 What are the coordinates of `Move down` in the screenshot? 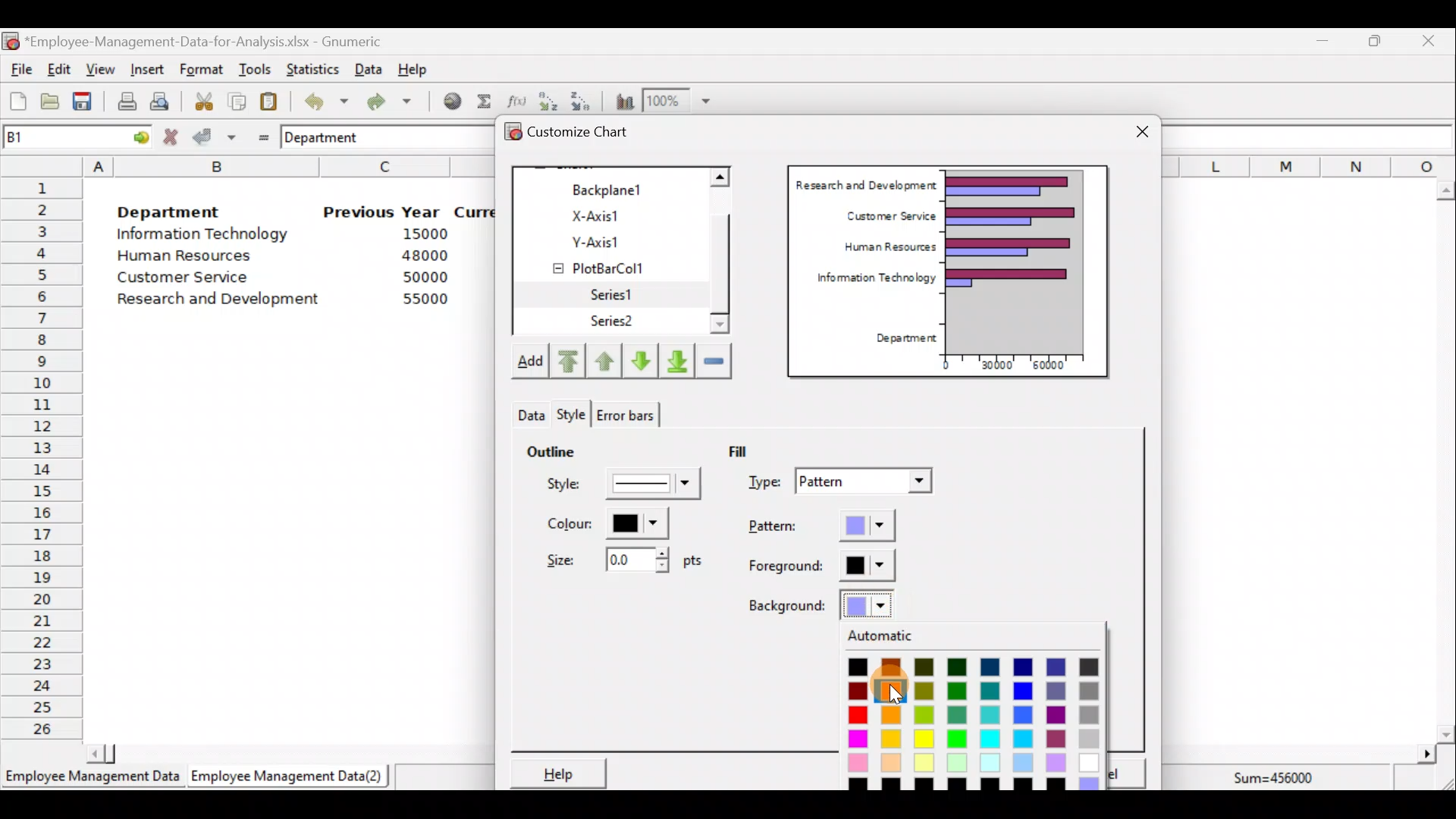 It's located at (640, 361).